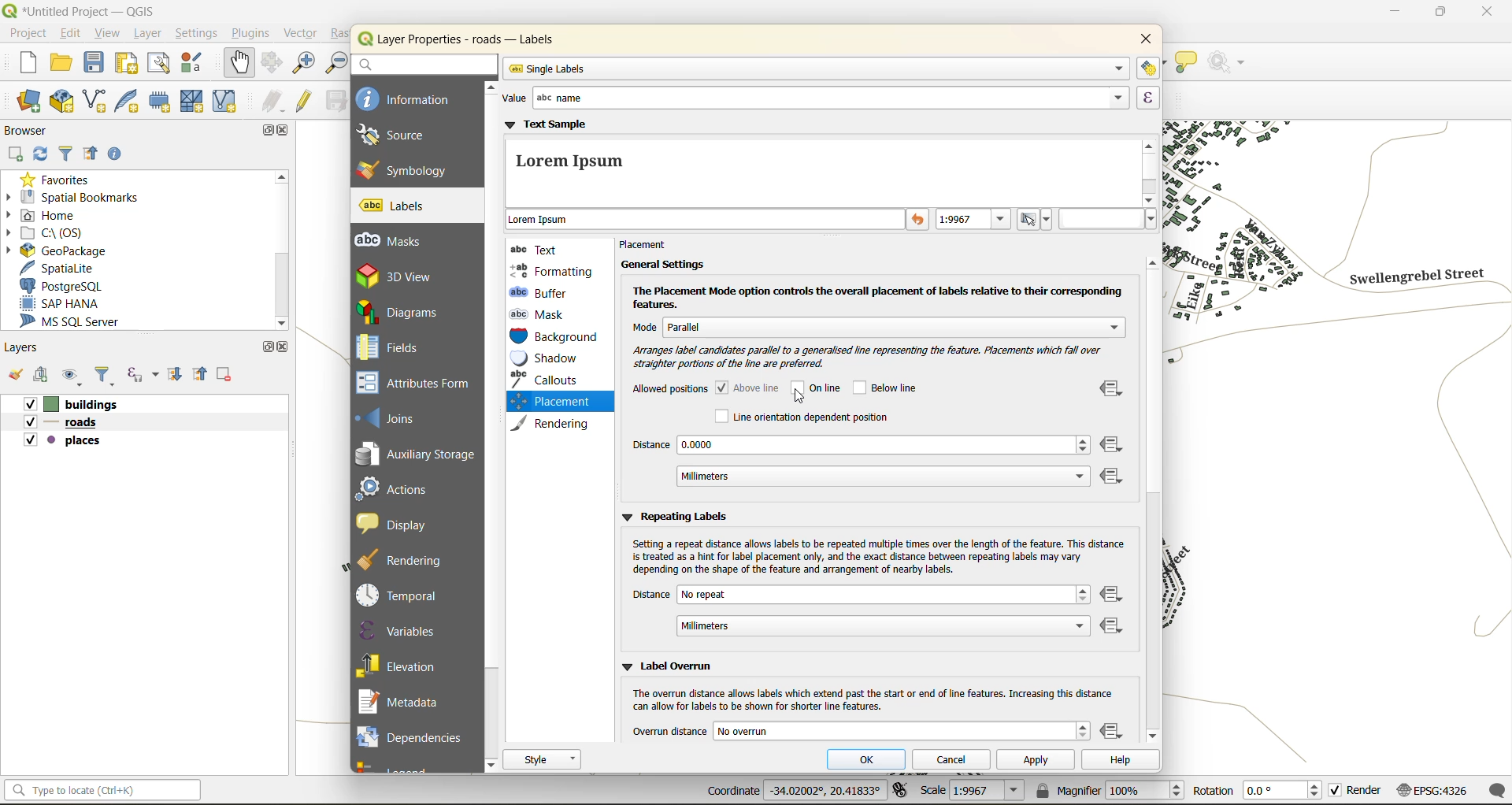 Image resolution: width=1512 pixels, height=805 pixels. Describe the element at coordinates (39, 157) in the screenshot. I see `refresh` at that location.